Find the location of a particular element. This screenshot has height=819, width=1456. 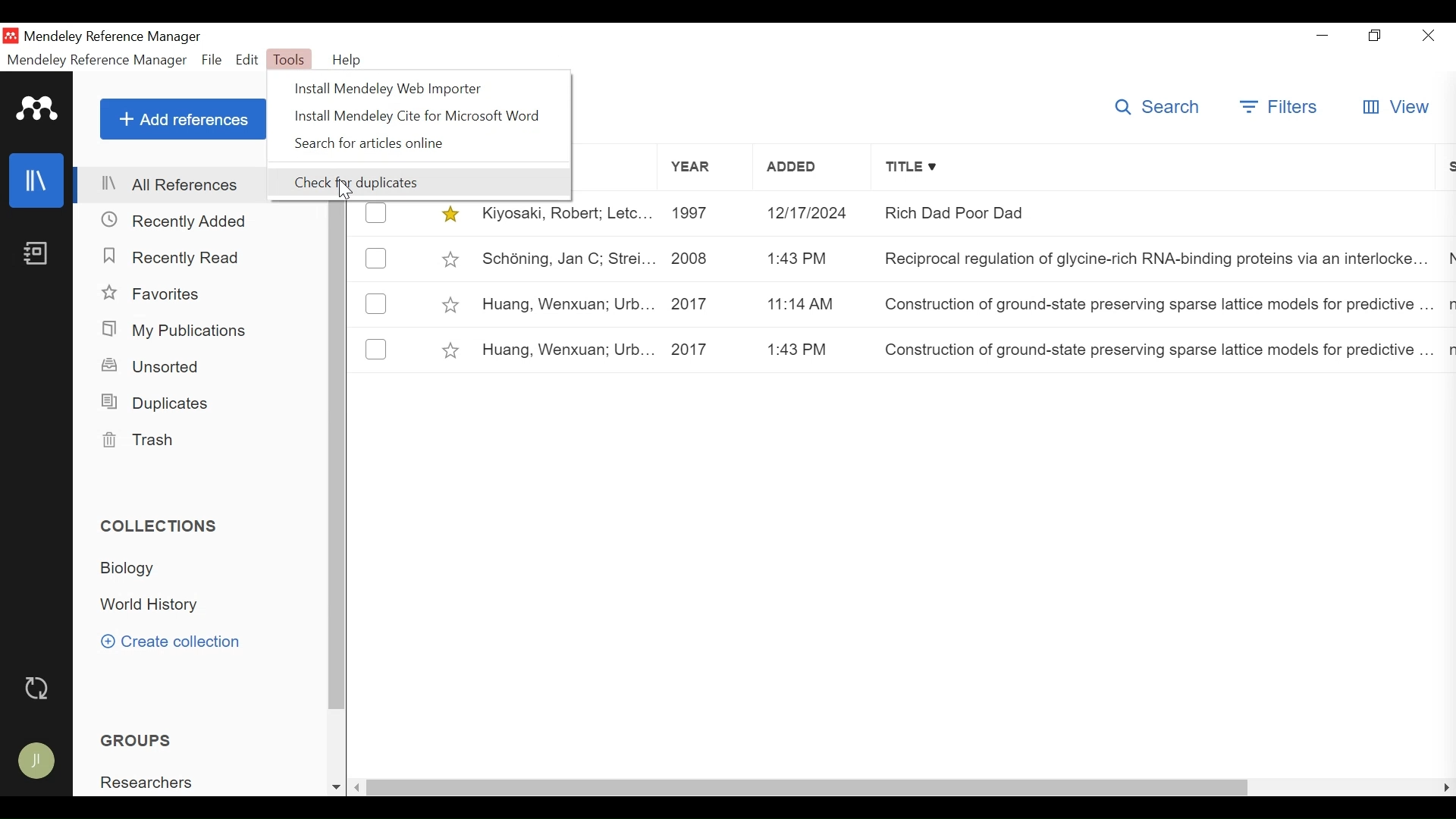

View is located at coordinates (1395, 106).